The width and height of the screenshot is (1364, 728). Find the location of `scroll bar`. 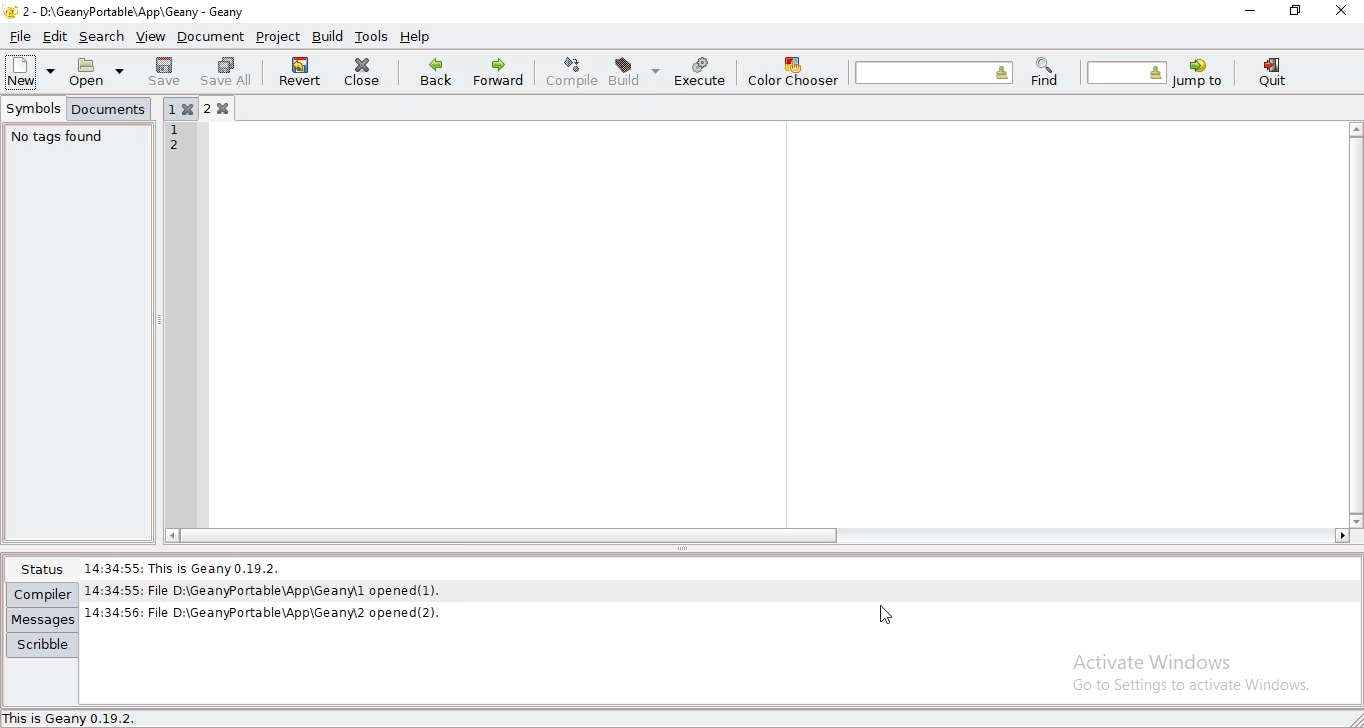

scroll bar is located at coordinates (500, 535).